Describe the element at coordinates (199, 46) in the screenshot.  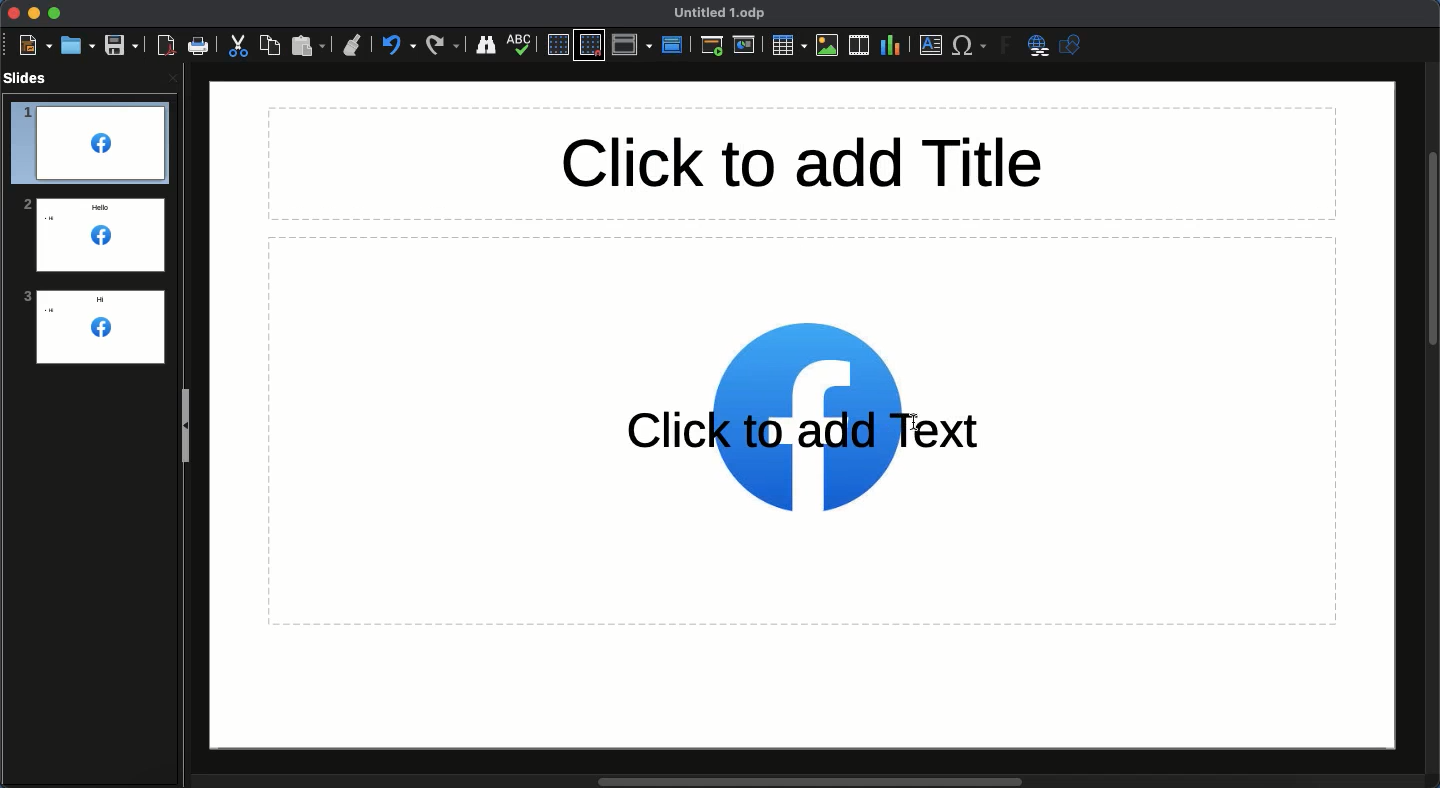
I see `Print` at that location.